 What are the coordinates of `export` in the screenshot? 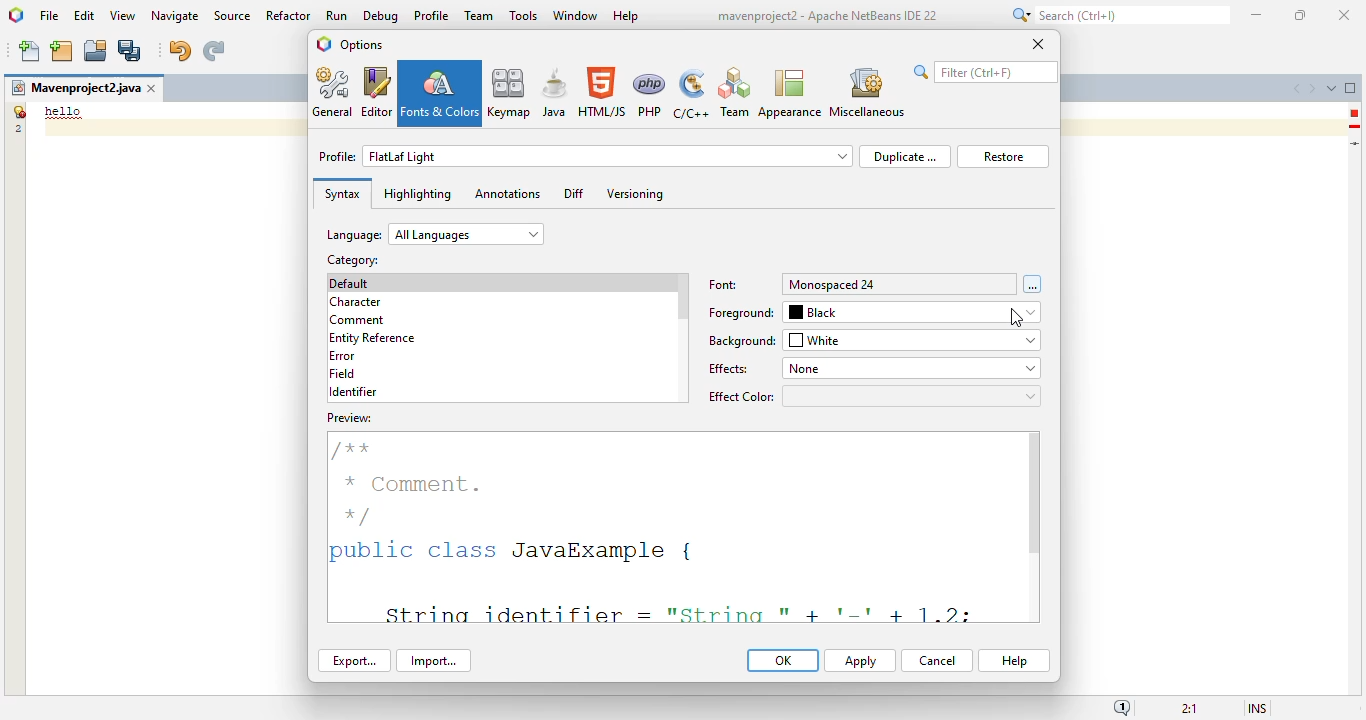 It's located at (355, 660).